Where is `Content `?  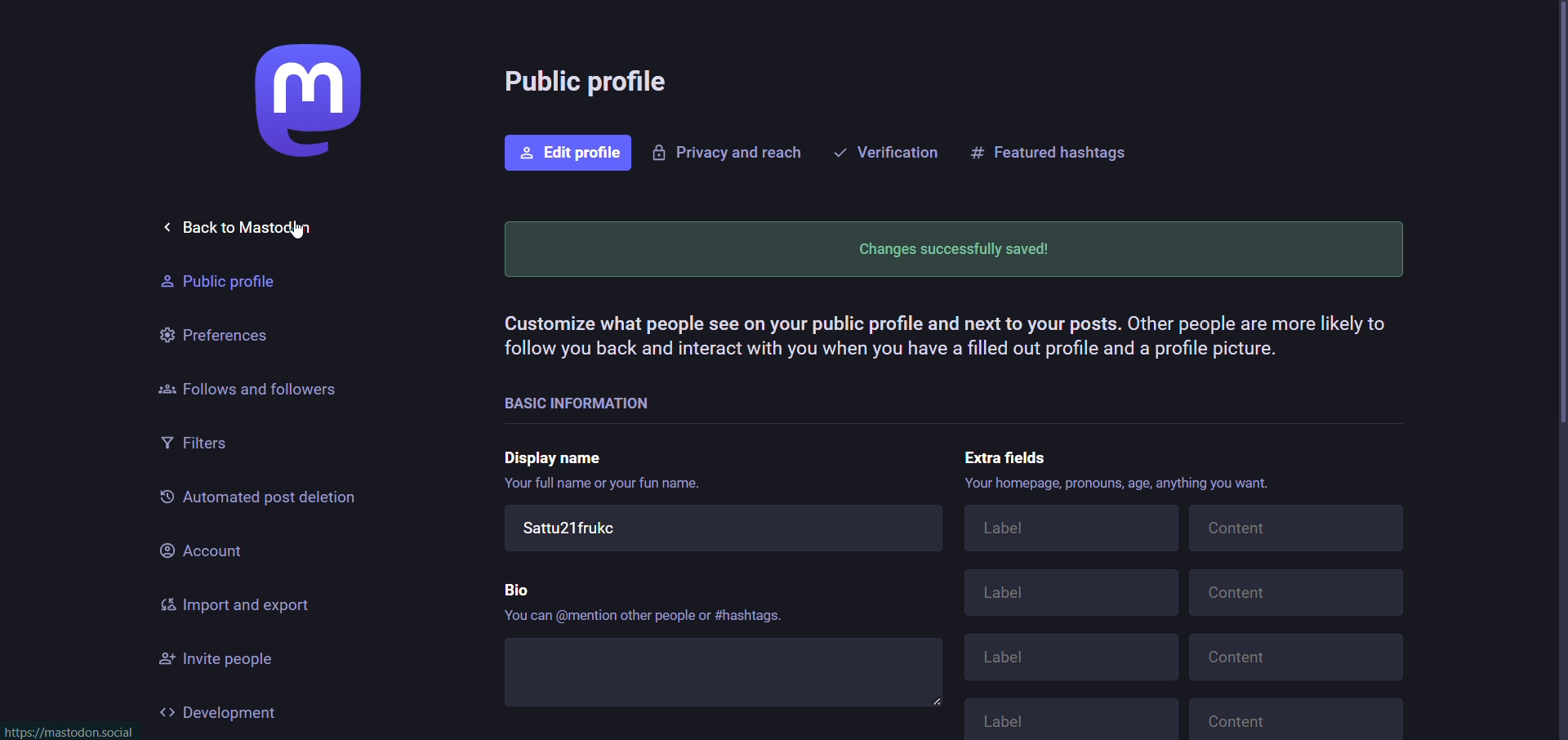 Content  is located at coordinates (1298, 658).